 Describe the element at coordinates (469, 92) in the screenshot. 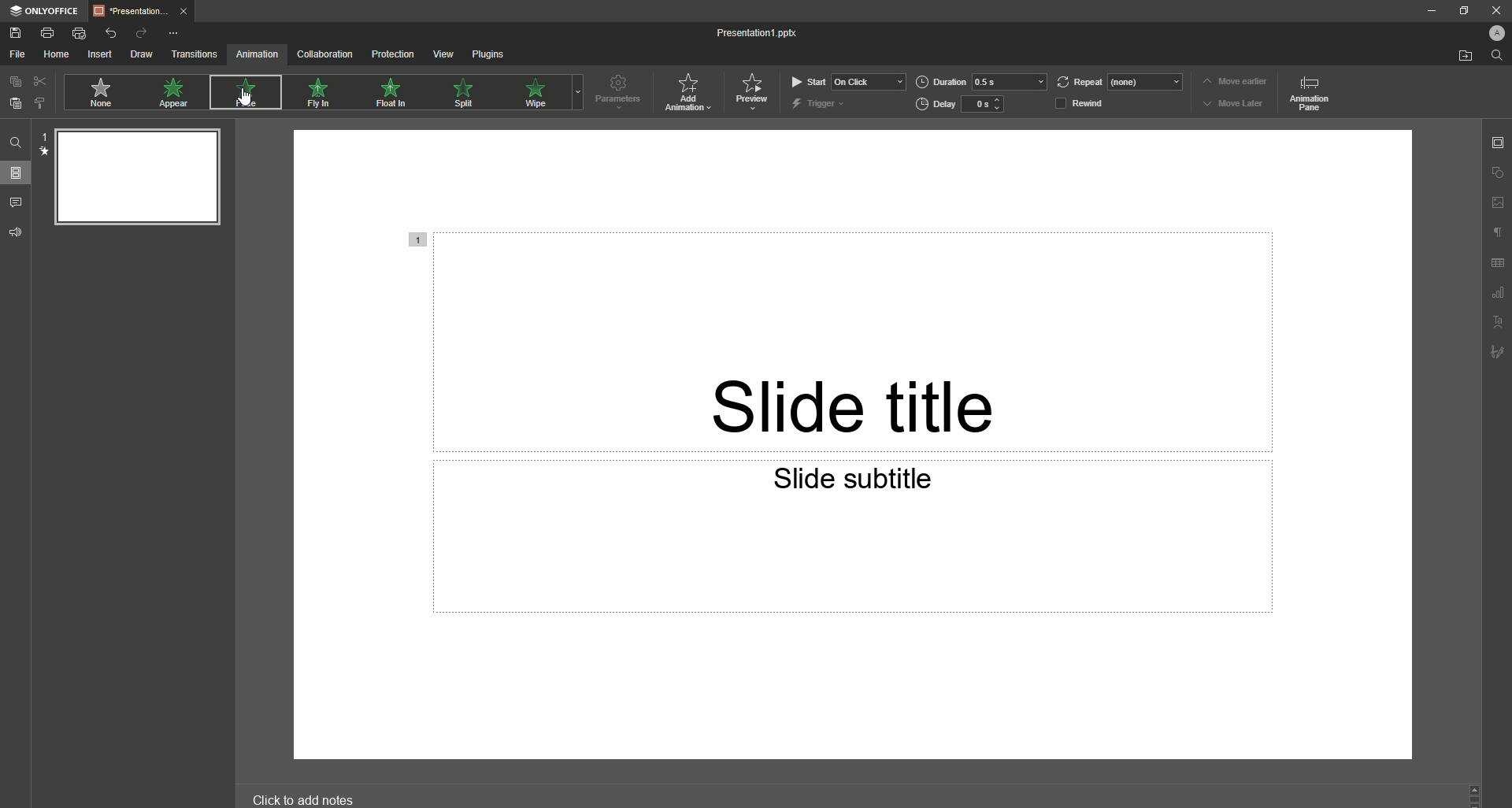

I see `Split` at that location.